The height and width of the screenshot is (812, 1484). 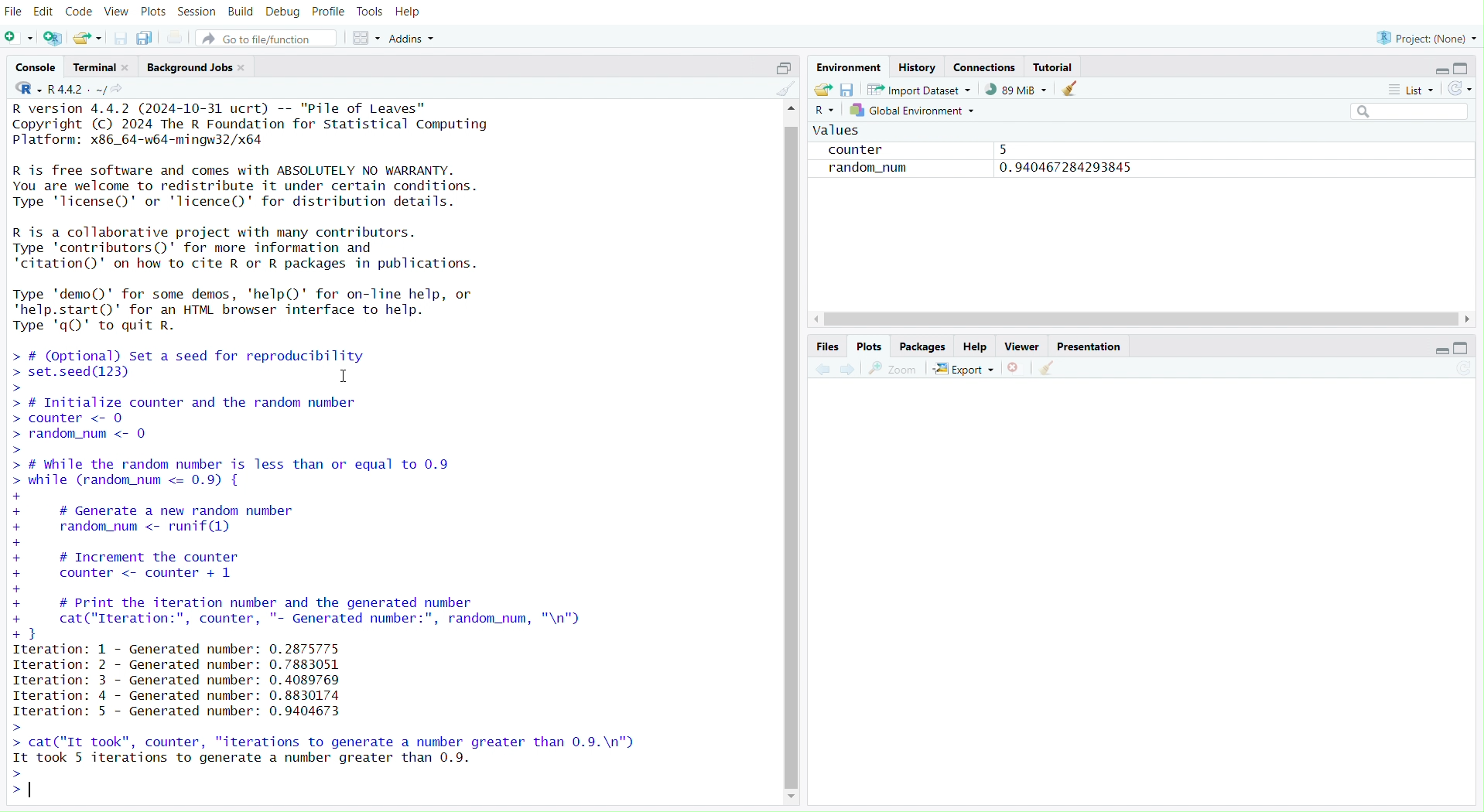 I want to click on values
counter 5
random_num 0.940467284293845, so click(x=978, y=158).